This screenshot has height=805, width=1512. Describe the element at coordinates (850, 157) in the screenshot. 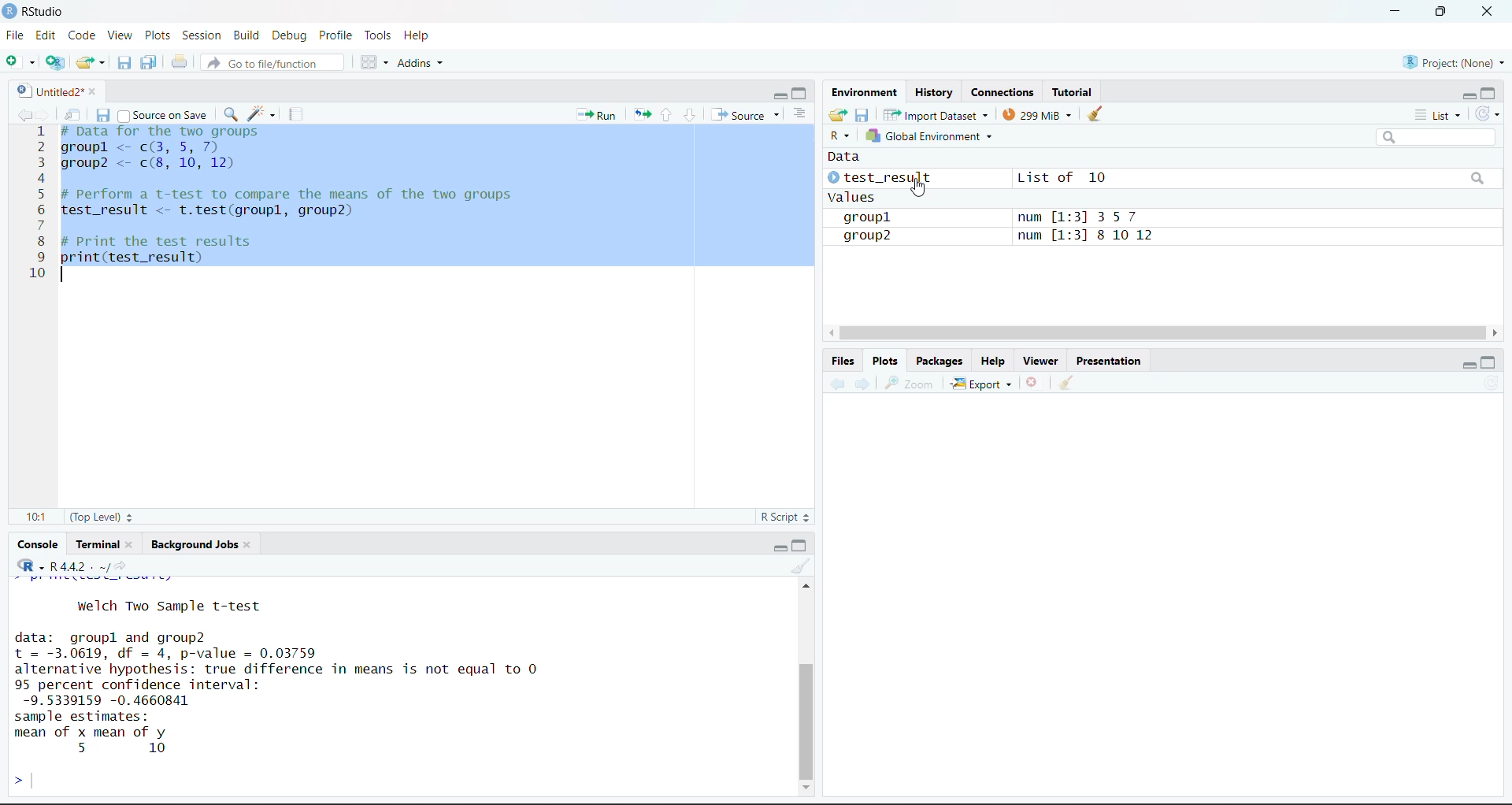

I see `Data` at that location.